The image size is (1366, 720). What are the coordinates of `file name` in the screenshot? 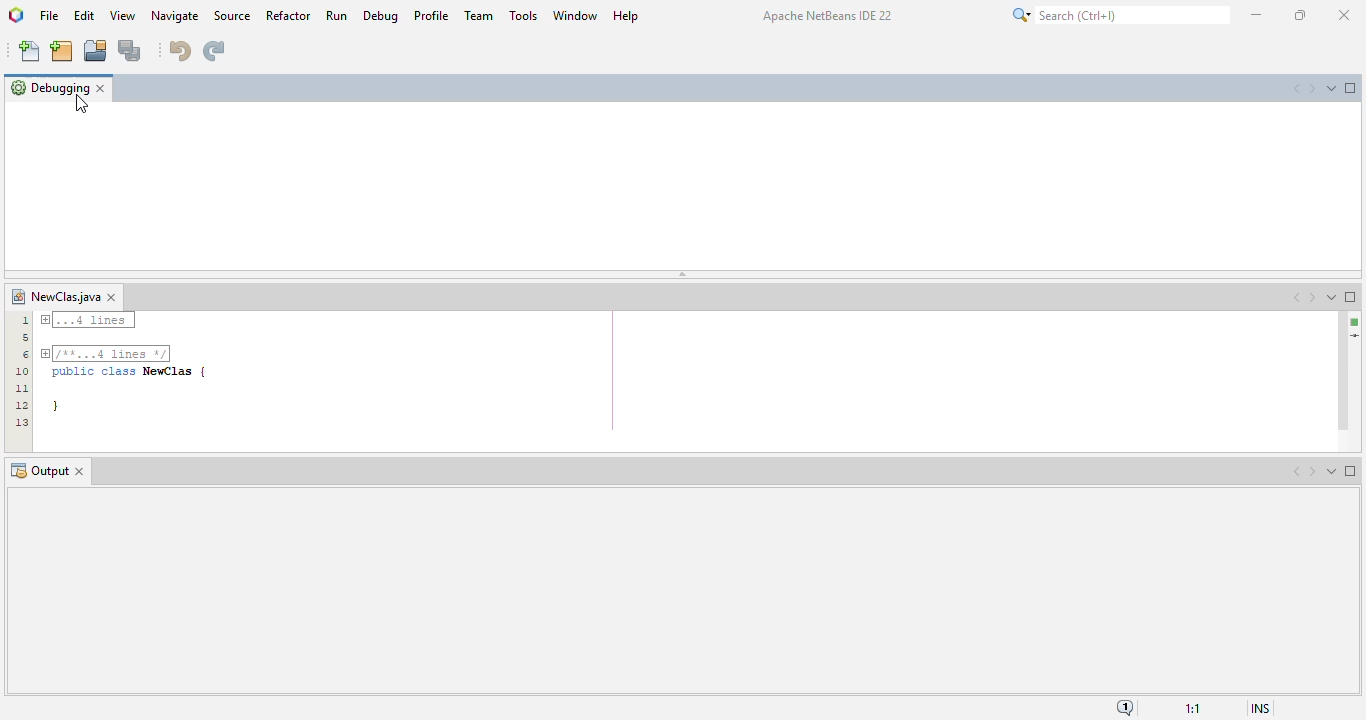 It's located at (55, 297).